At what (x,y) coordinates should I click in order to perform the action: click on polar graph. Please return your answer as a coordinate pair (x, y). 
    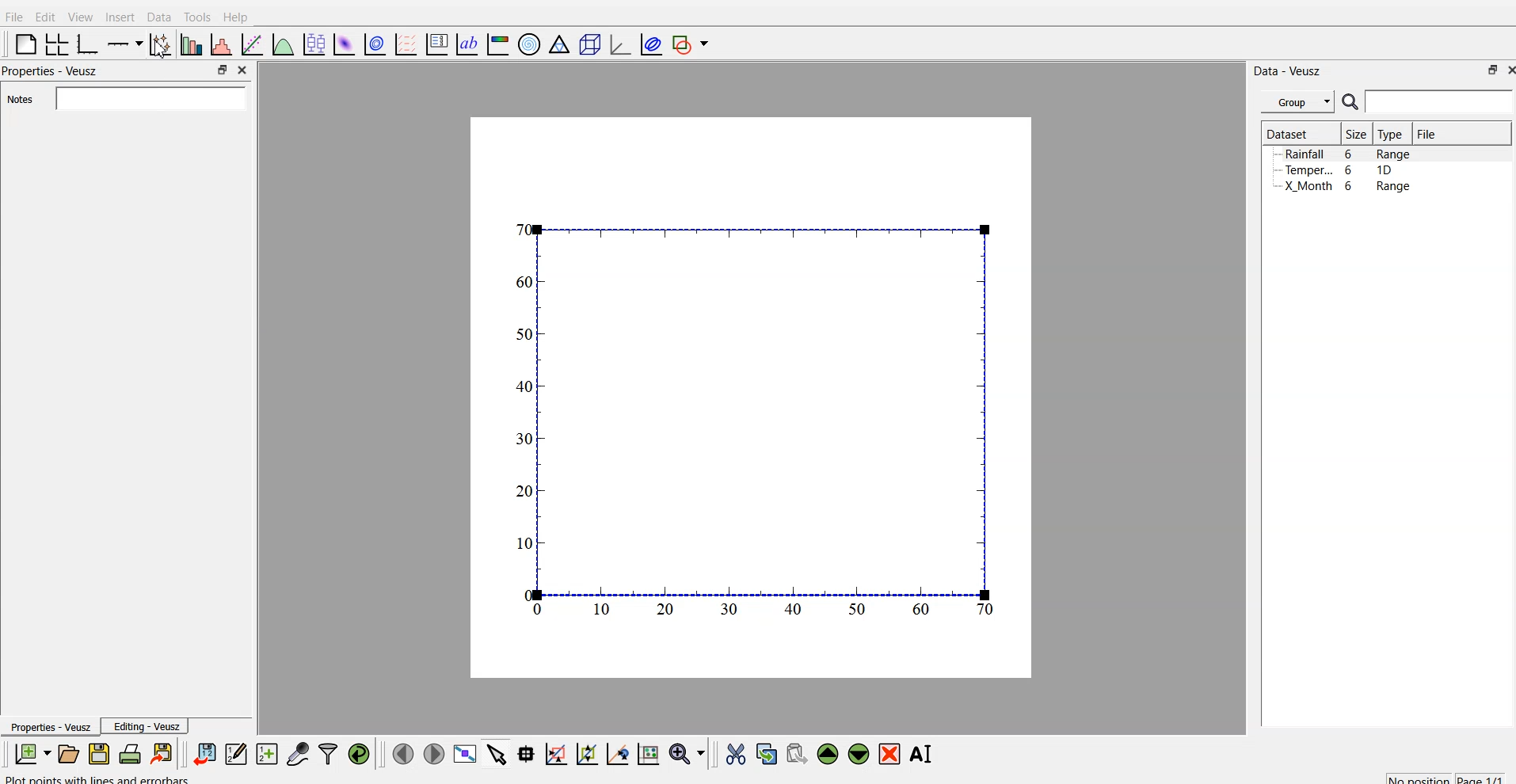
    Looking at the image, I should click on (531, 42).